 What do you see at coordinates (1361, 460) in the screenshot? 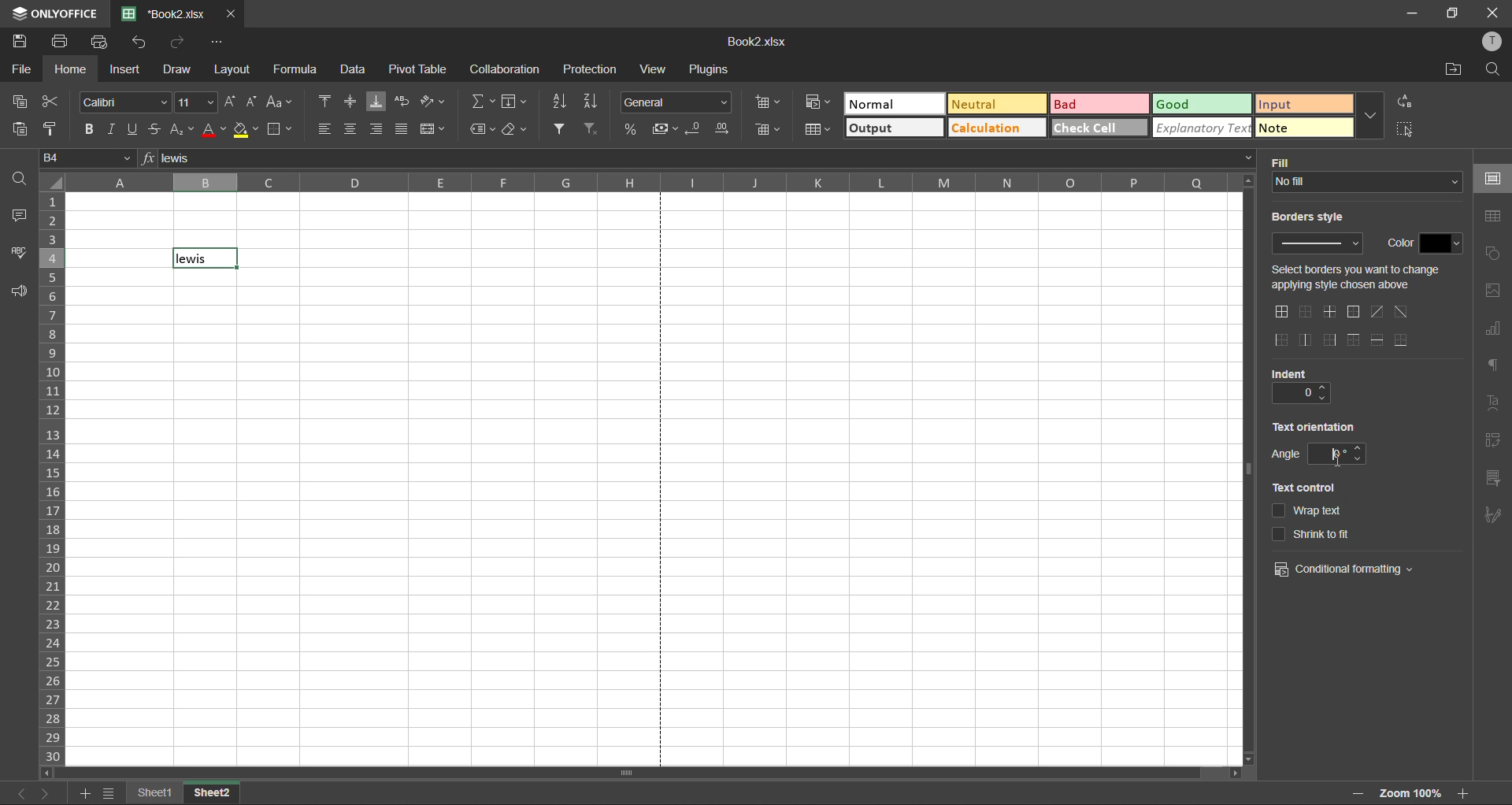
I see `decrease angle` at bounding box center [1361, 460].